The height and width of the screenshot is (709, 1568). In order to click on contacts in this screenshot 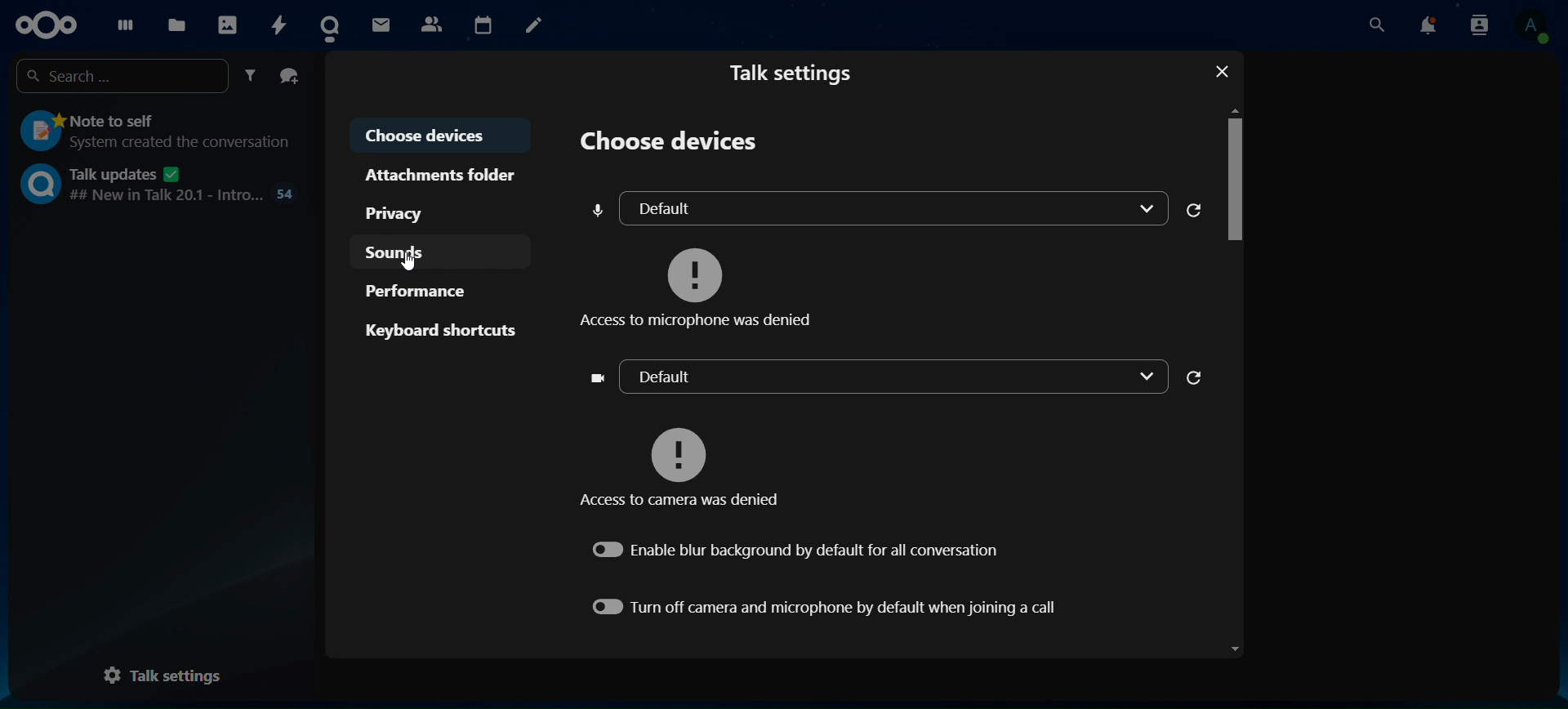, I will do `click(430, 24)`.